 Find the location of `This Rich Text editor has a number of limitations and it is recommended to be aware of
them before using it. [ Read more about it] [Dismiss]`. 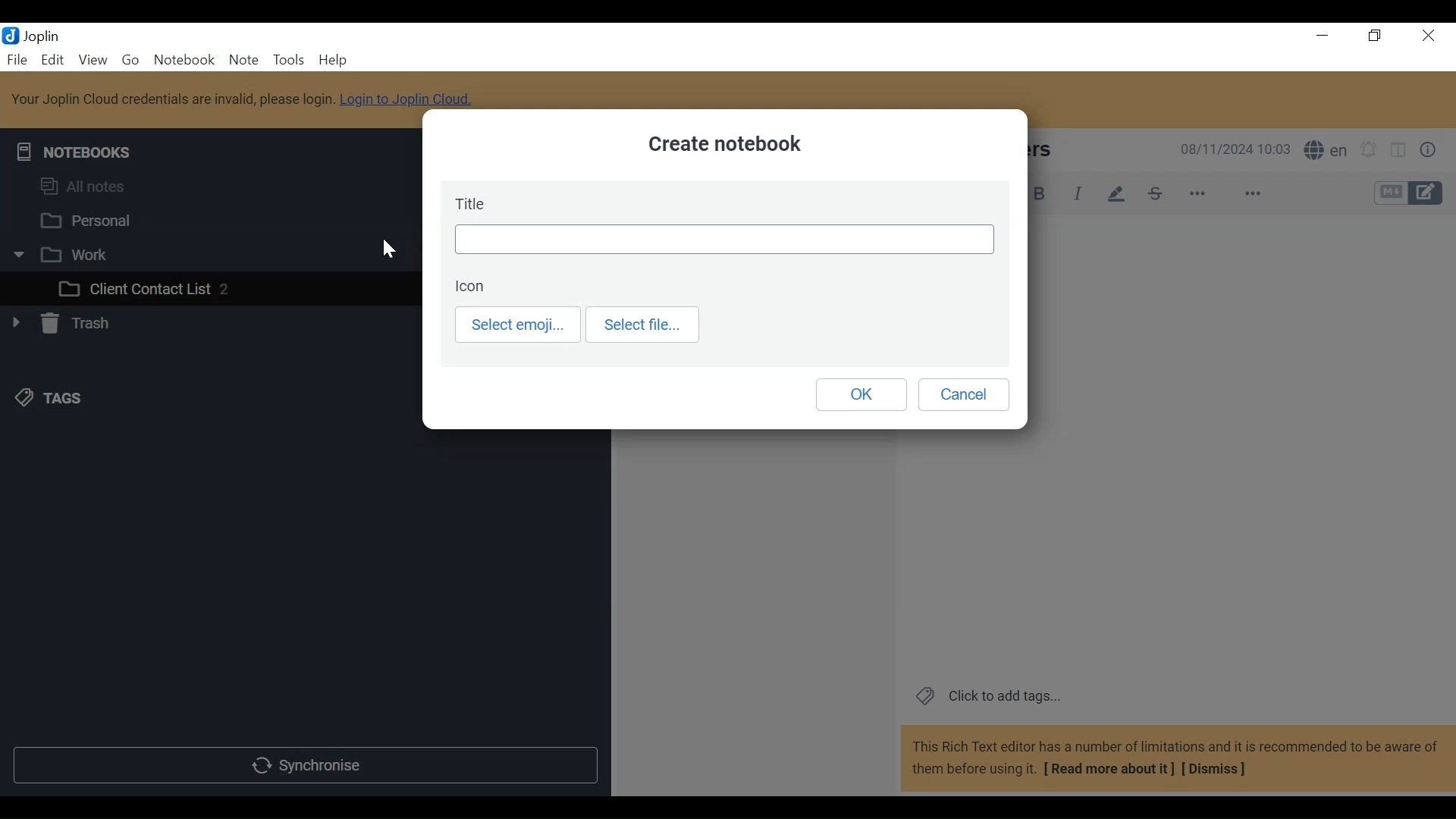

This Rich Text editor has a number of limitations and it is recommended to be aware of
them before using it. [ Read more about it] [Dismiss] is located at coordinates (1175, 759).